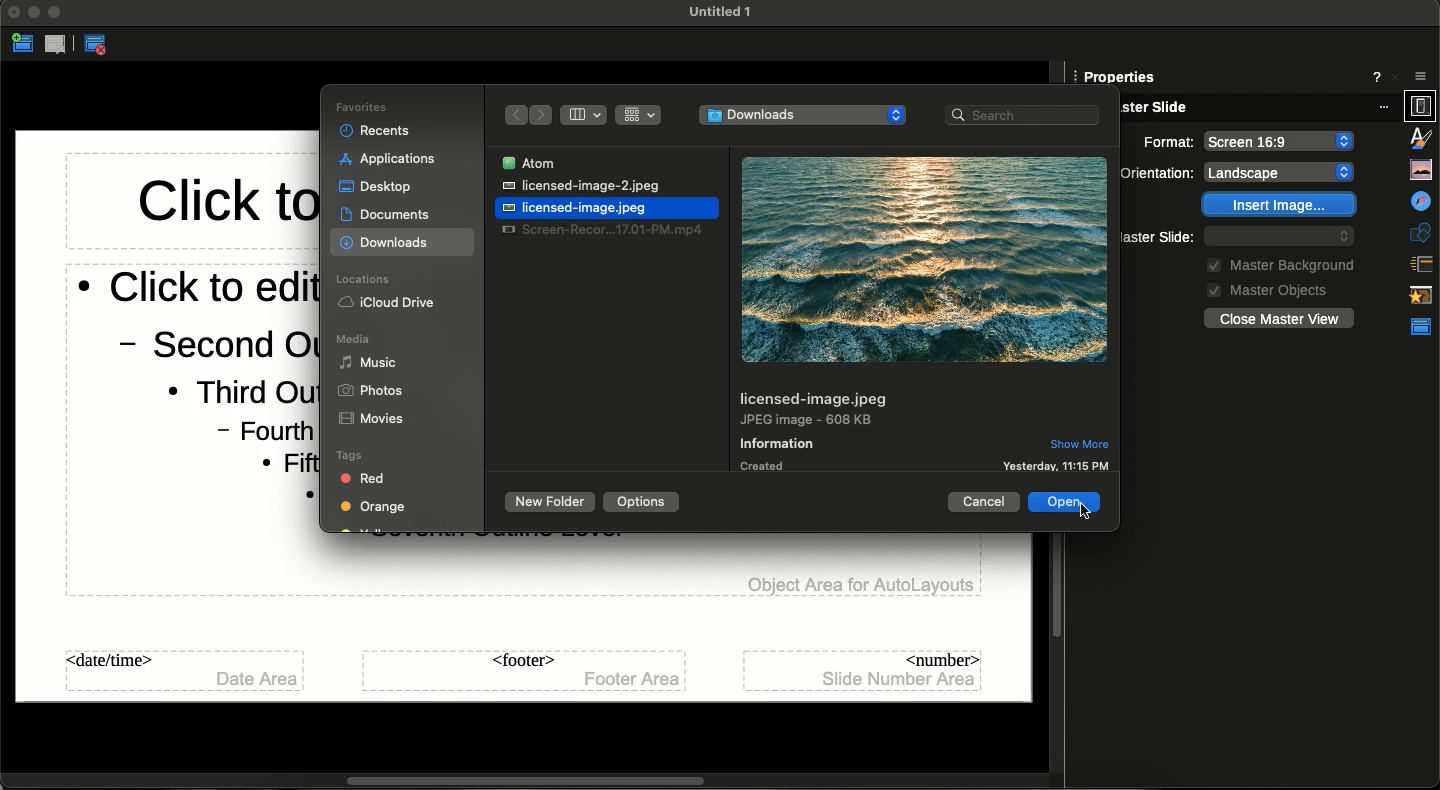  I want to click on Red, so click(360, 480).